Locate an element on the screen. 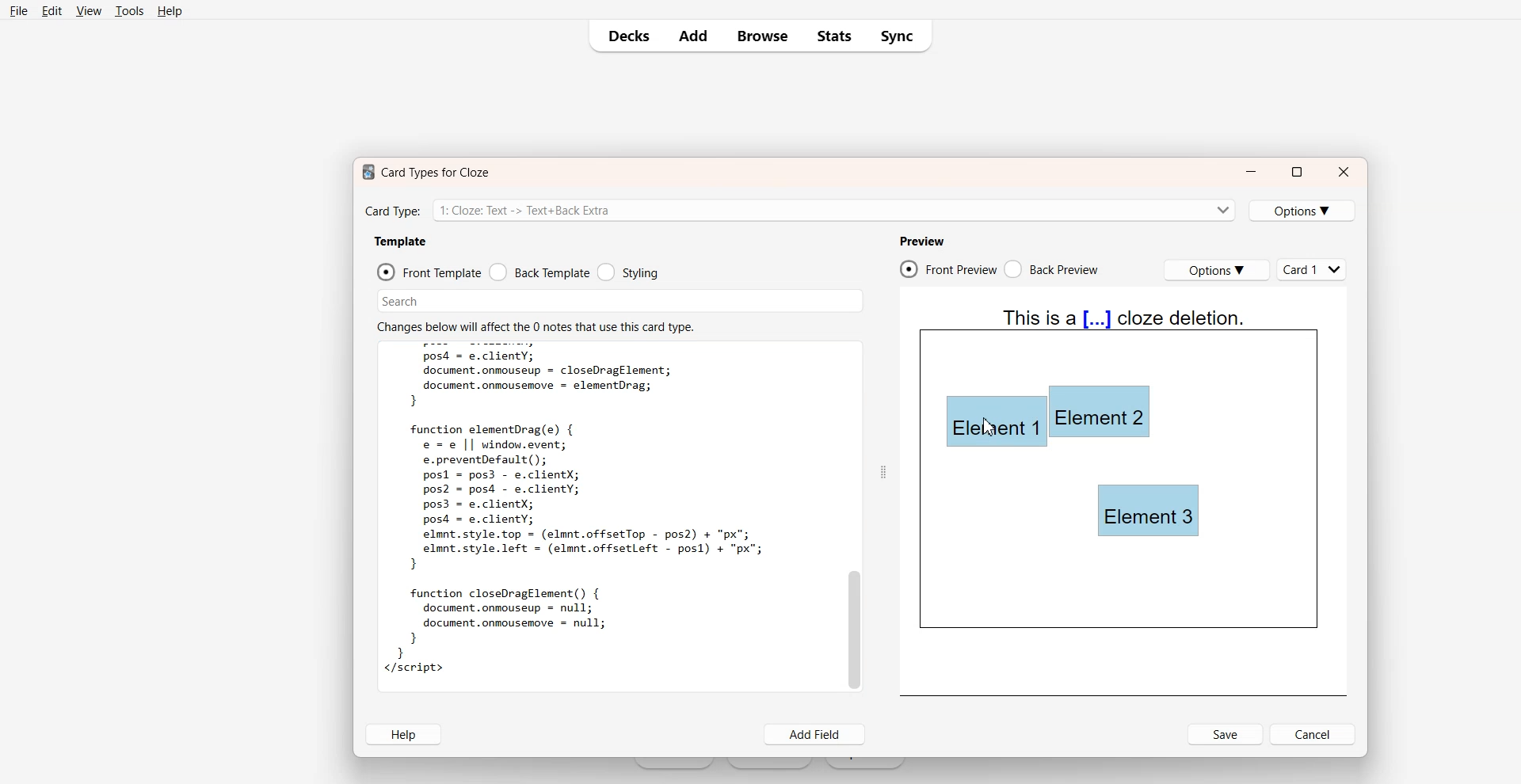  Card Type is located at coordinates (799, 209).